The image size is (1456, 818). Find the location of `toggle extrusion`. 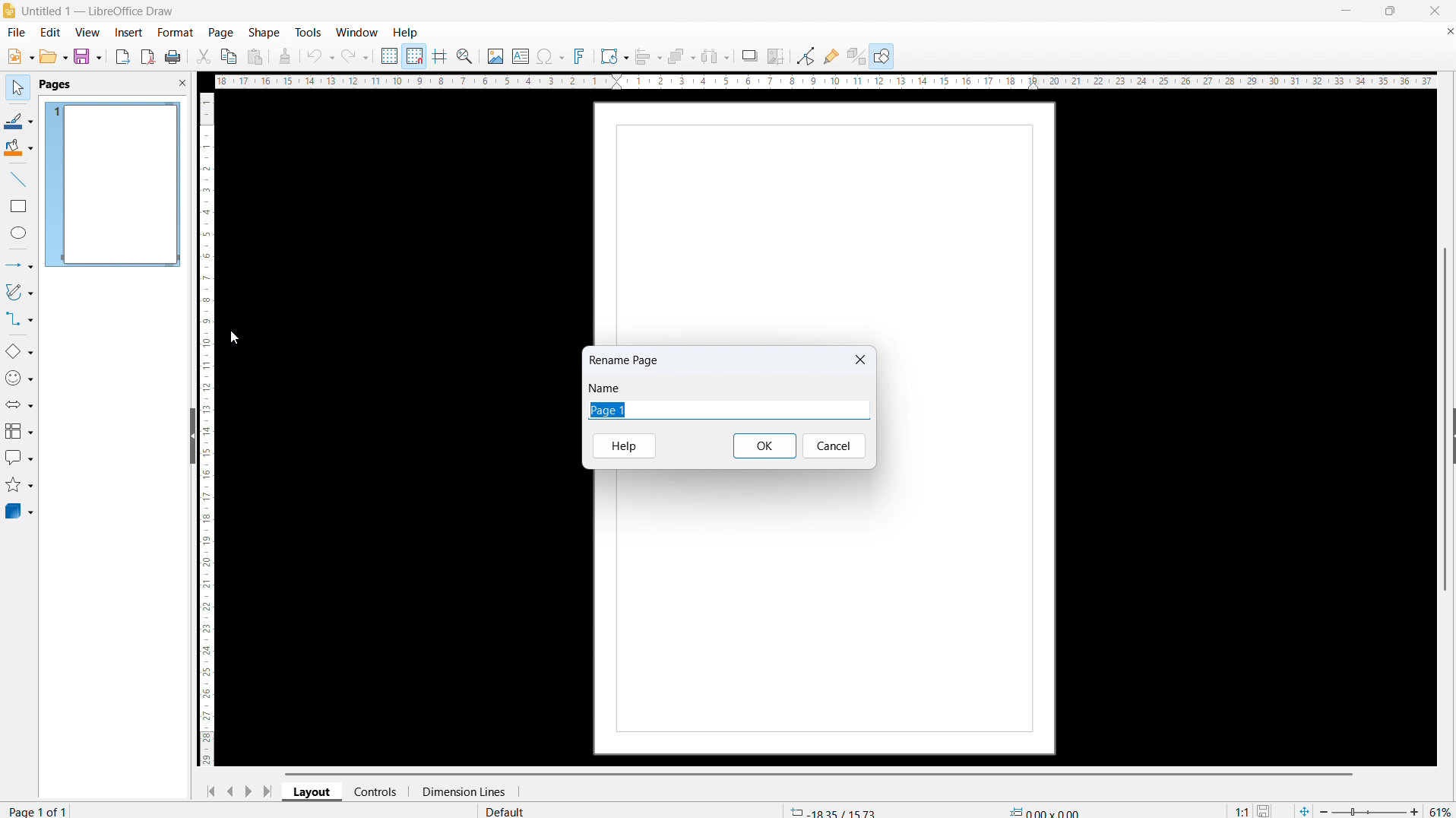

toggle extrusion is located at coordinates (856, 55).